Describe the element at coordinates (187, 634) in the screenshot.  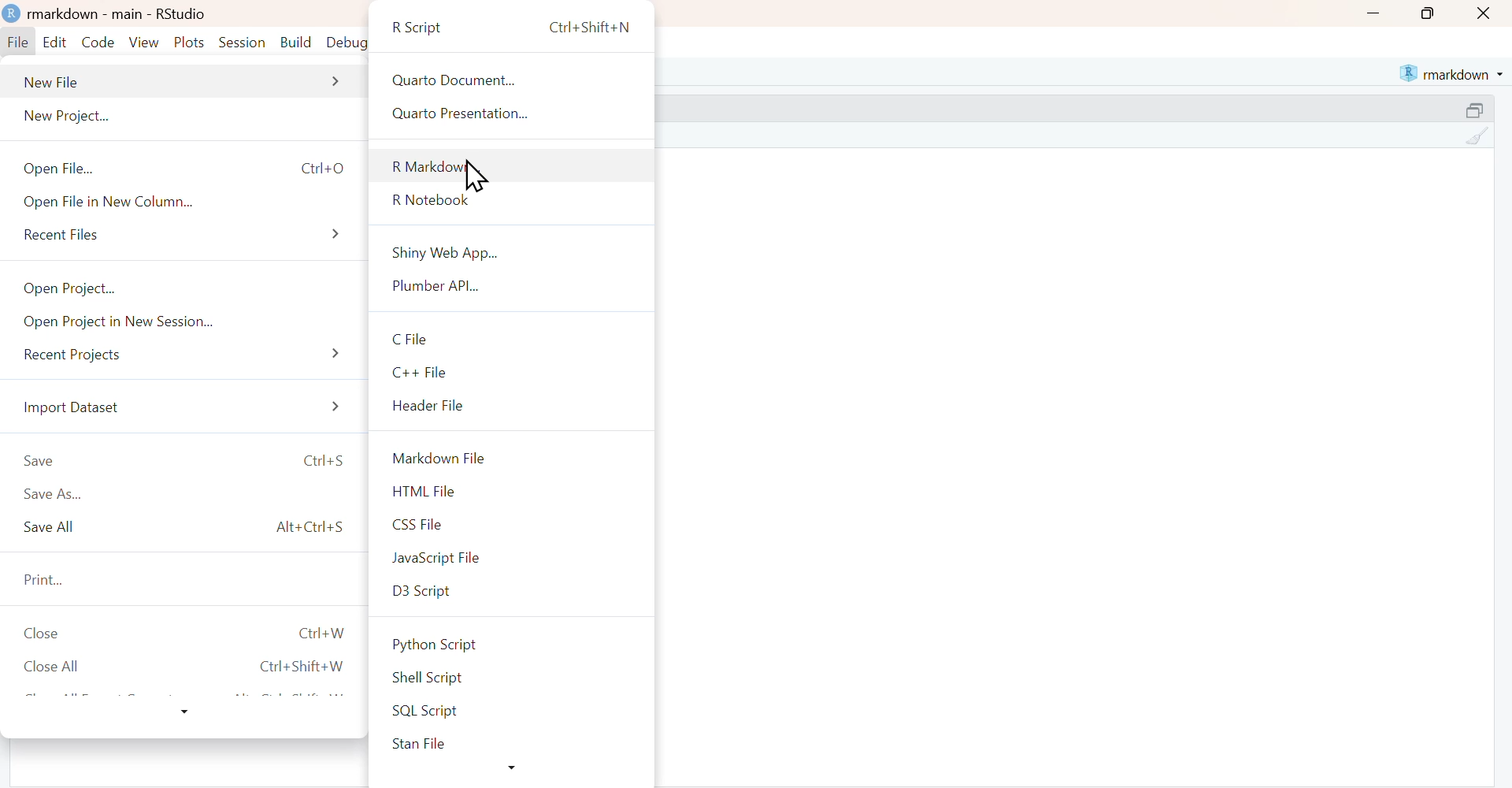
I see `close` at that location.